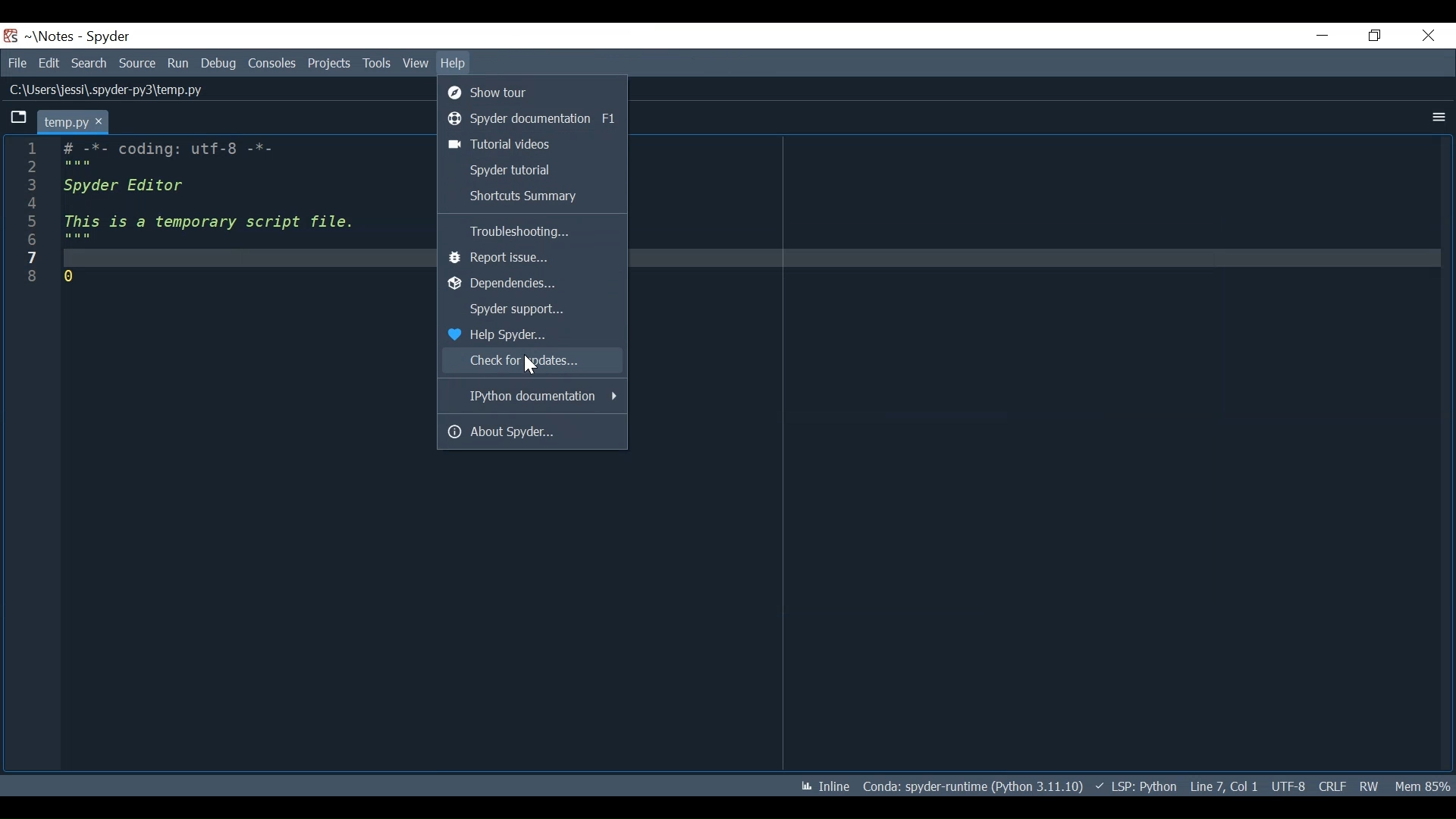 This screenshot has width=1456, height=819. Describe the element at coordinates (1425, 786) in the screenshot. I see `Memory Usage` at that location.